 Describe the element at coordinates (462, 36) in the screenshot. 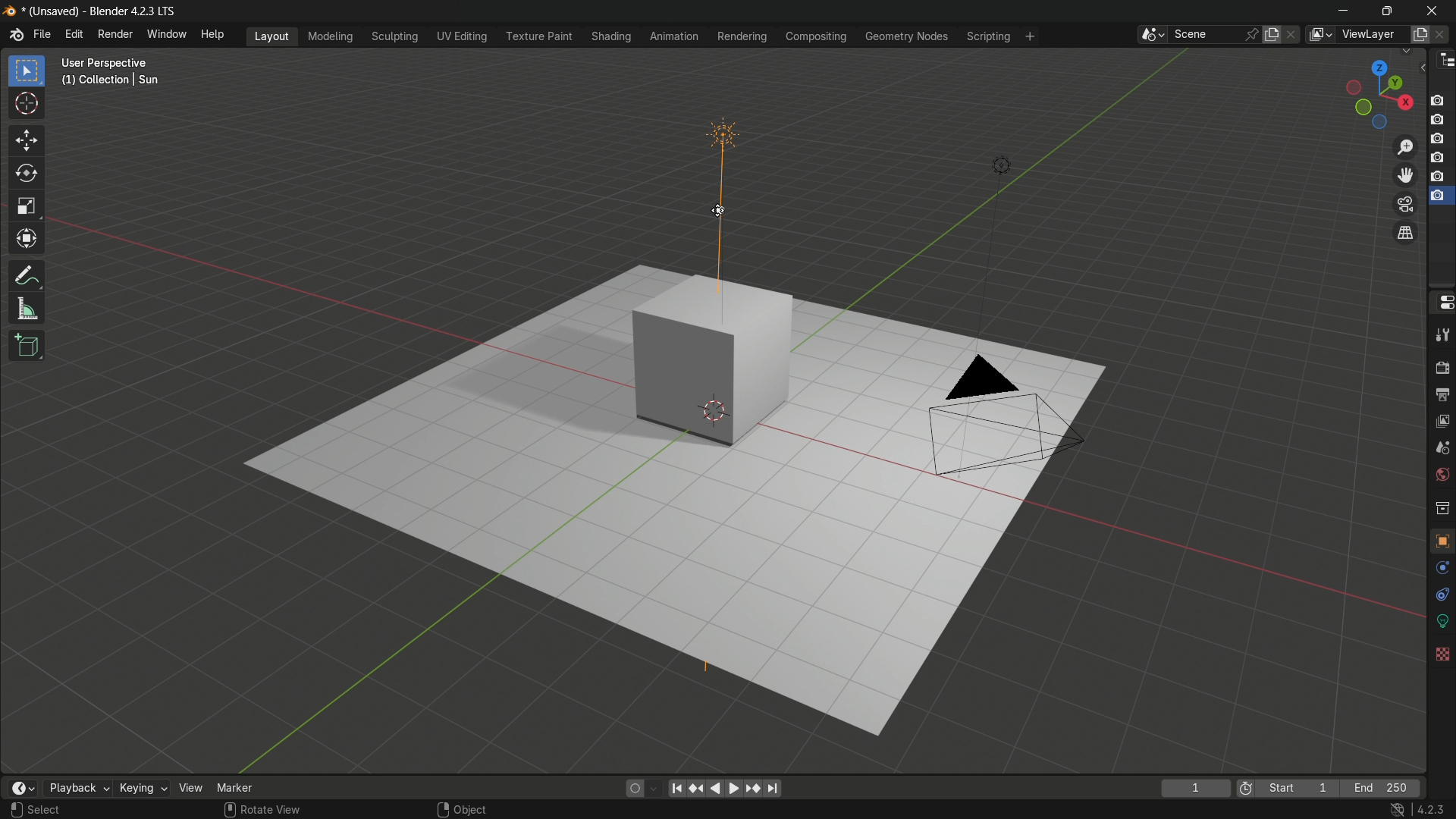

I see `uv editing` at that location.